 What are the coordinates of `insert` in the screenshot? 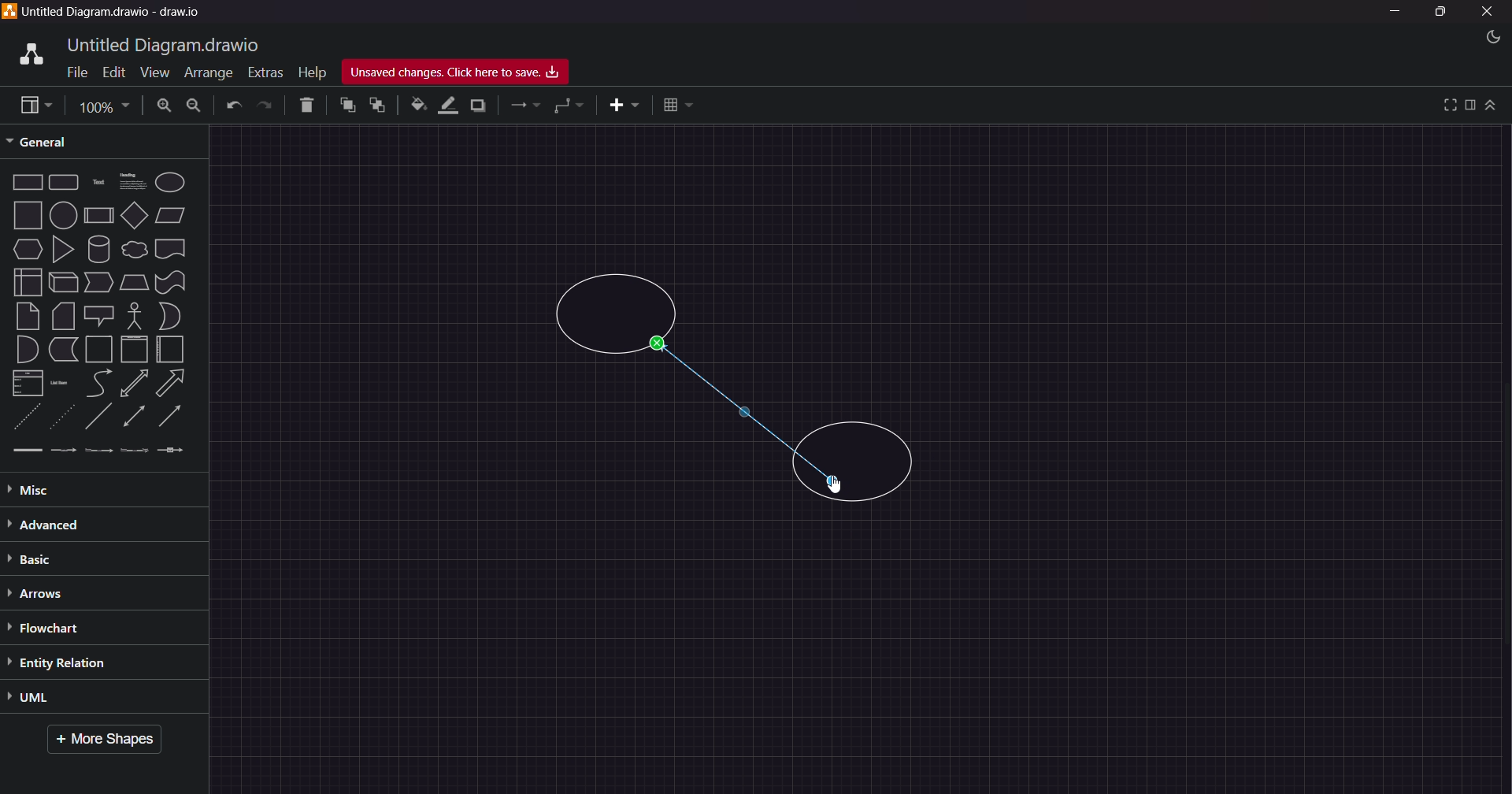 It's located at (618, 106).